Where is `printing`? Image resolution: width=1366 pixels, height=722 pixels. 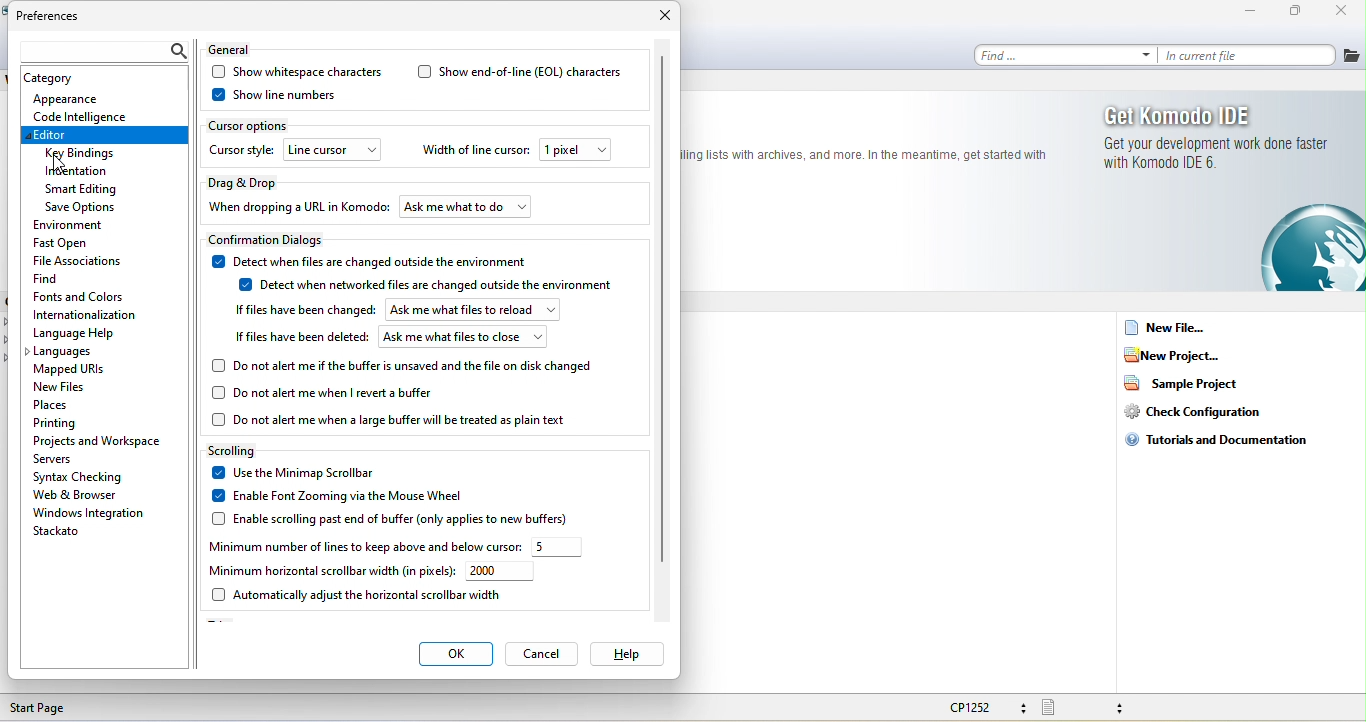
printing is located at coordinates (74, 421).